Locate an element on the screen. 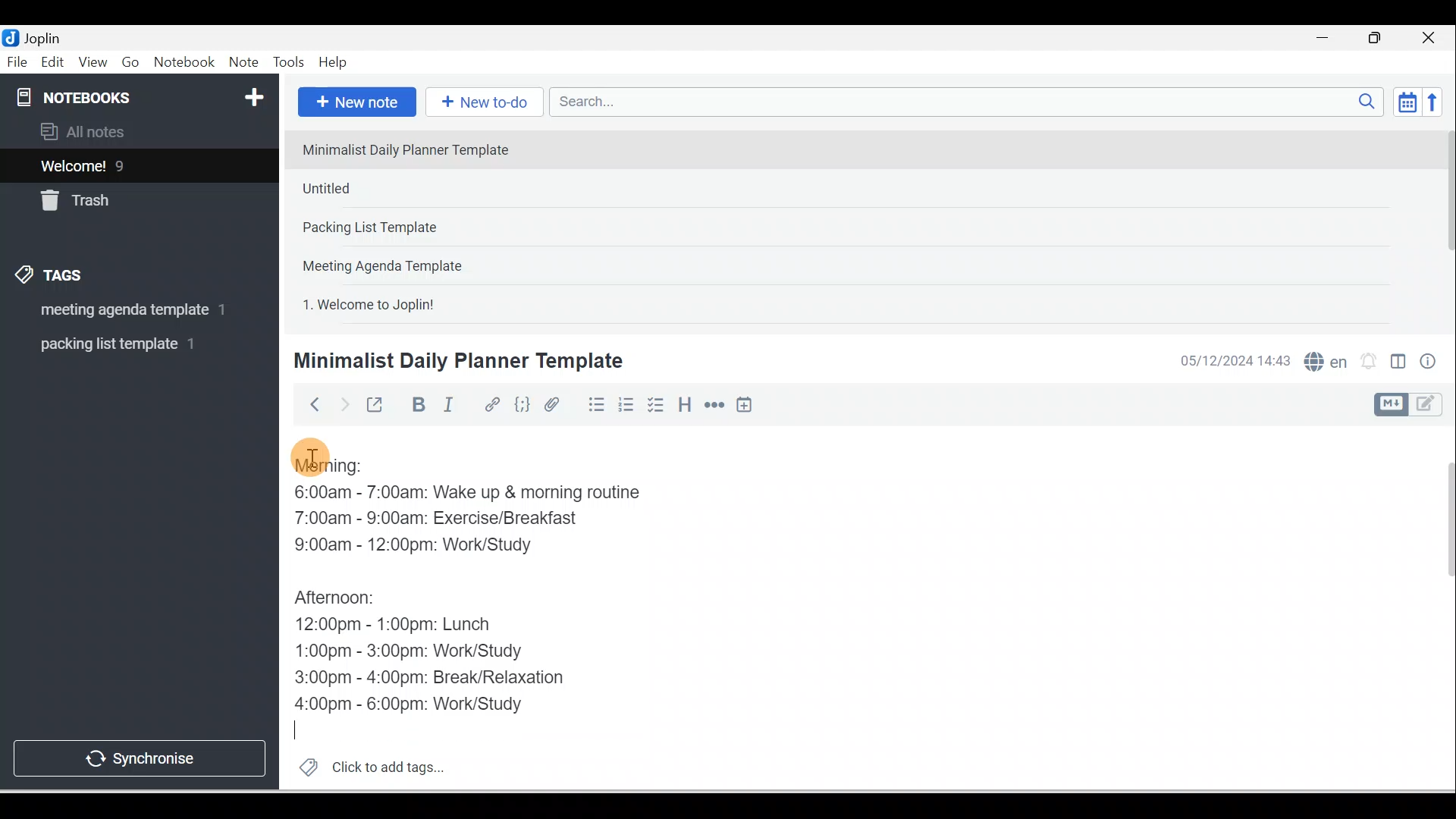 This screenshot has height=819, width=1456. Morning: is located at coordinates (345, 470).